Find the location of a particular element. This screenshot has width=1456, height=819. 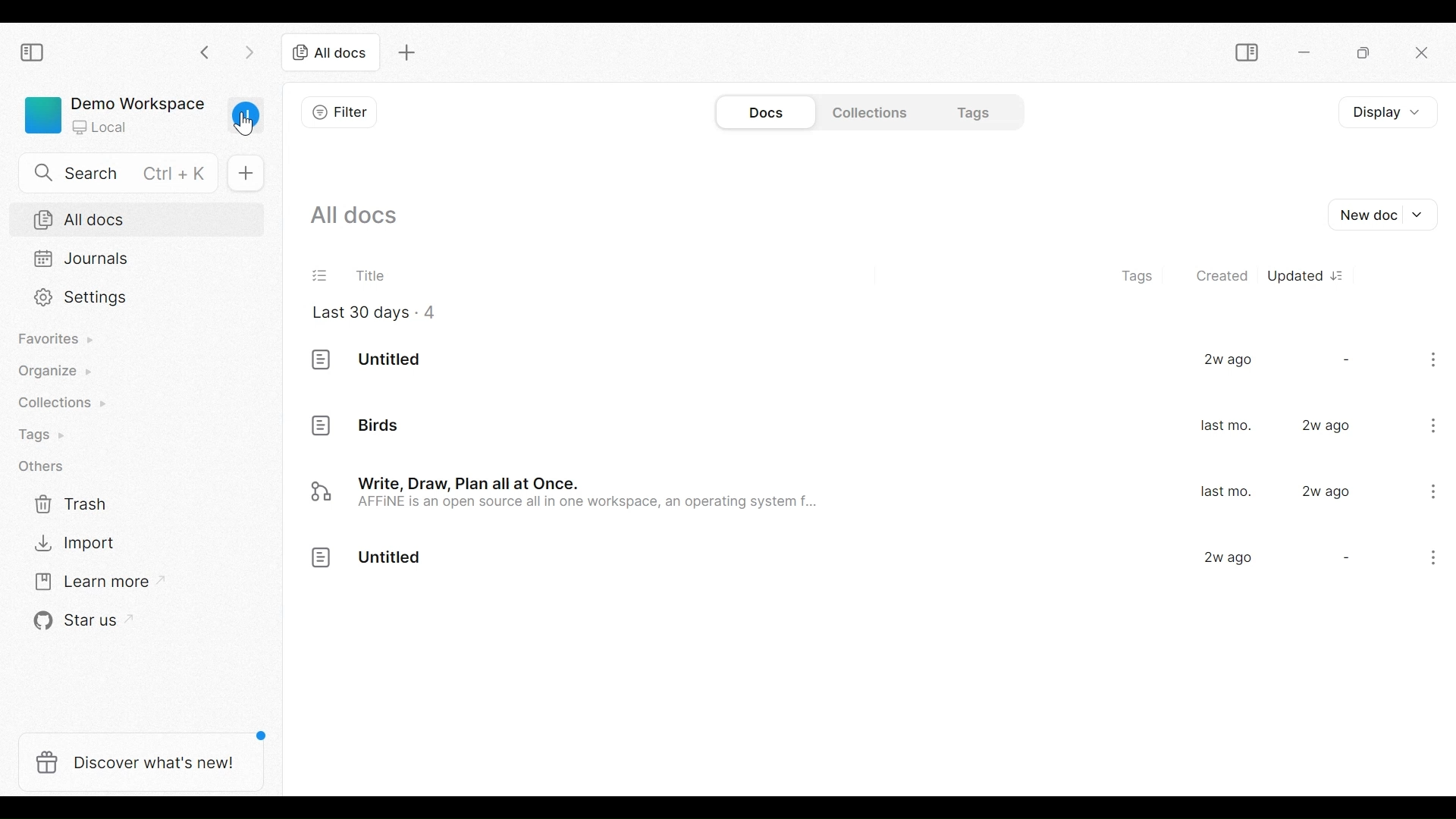

Add new tab is located at coordinates (409, 53).